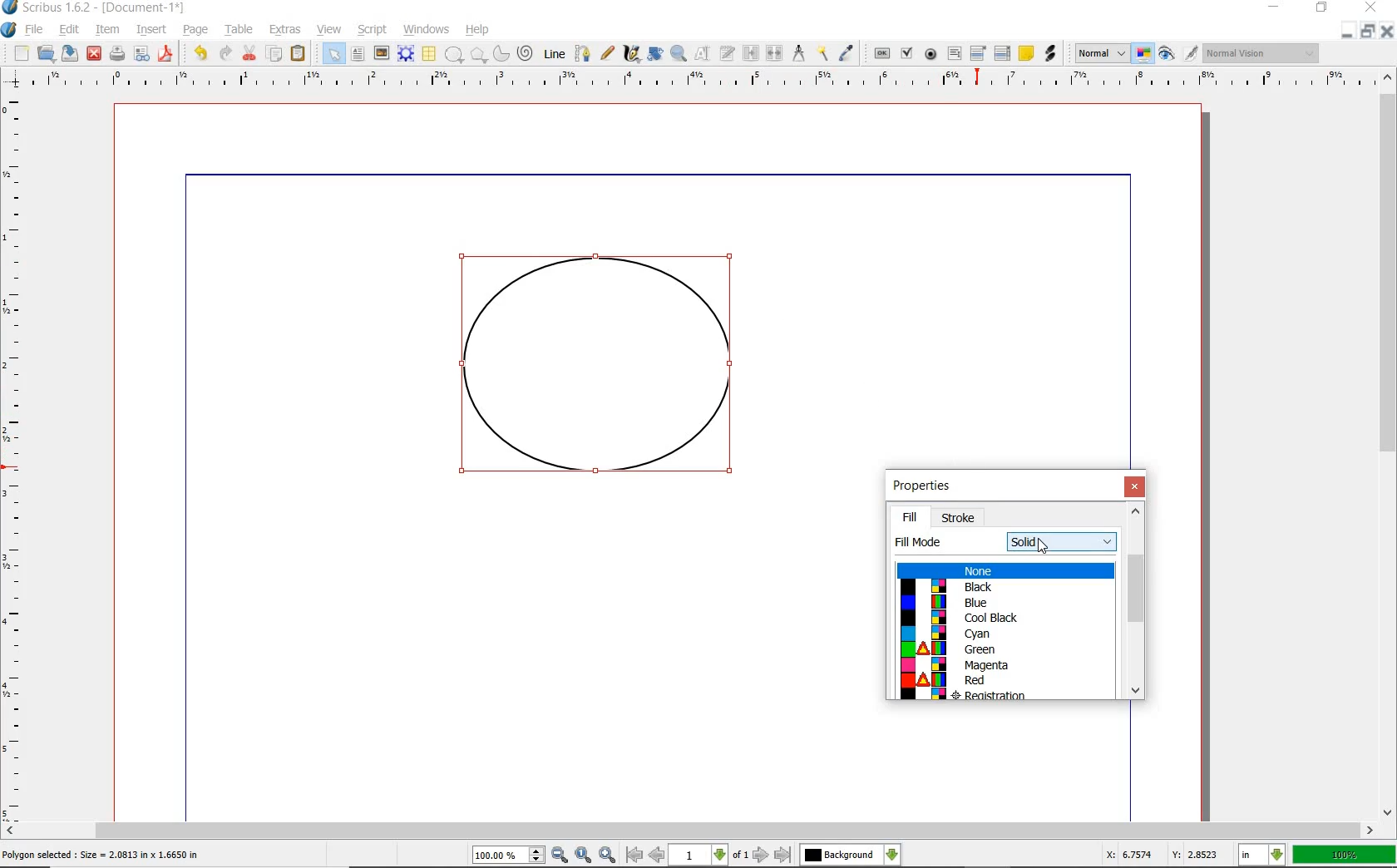 The height and width of the screenshot is (868, 1397). What do you see at coordinates (702, 52) in the screenshot?
I see `EDIT CONTENTS OF FRAME` at bounding box center [702, 52].